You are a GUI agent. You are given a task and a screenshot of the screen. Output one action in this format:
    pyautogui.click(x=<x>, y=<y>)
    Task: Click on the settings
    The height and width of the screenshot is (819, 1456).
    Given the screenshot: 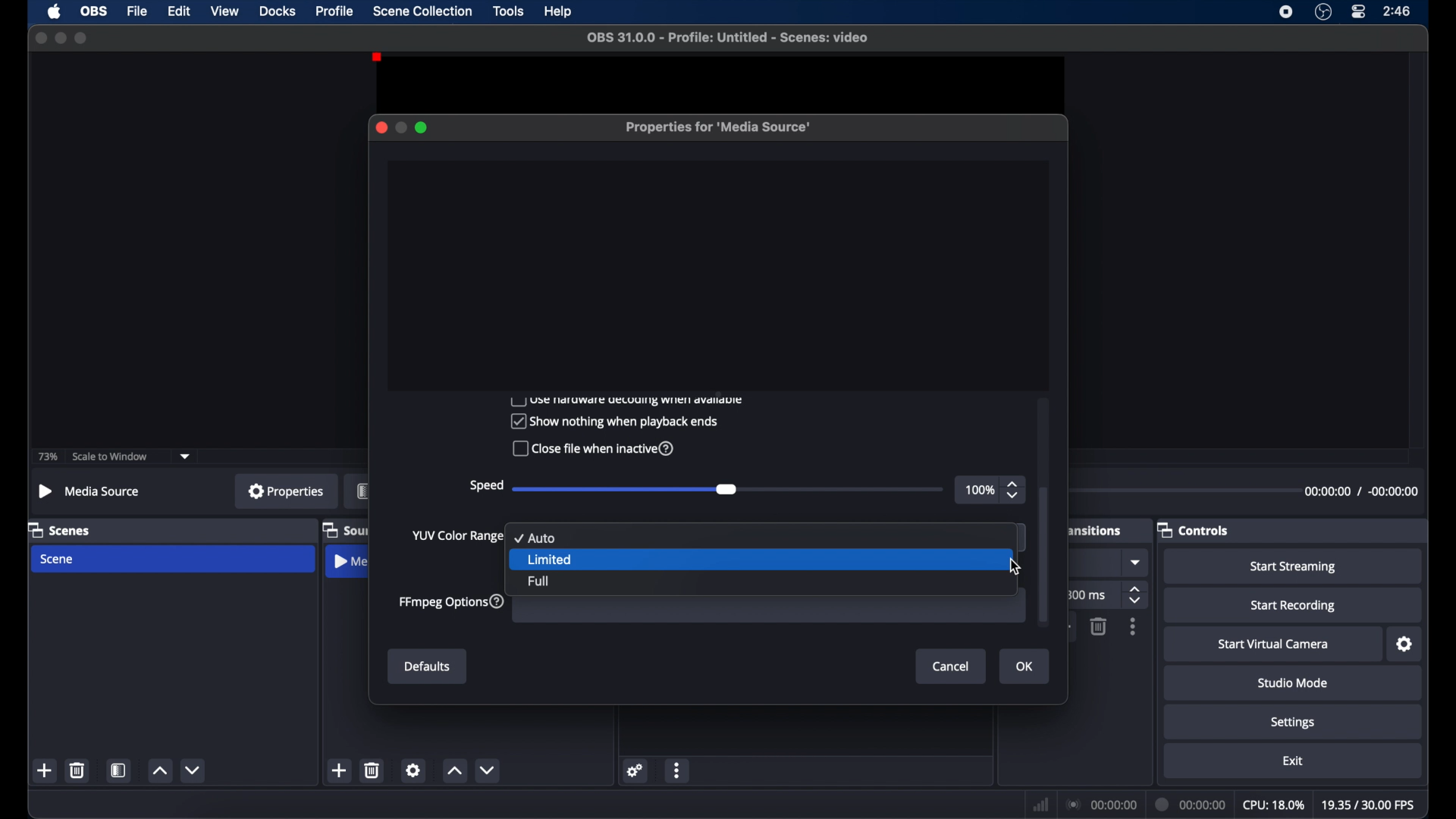 What is the action you would take?
    pyautogui.click(x=635, y=770)
    